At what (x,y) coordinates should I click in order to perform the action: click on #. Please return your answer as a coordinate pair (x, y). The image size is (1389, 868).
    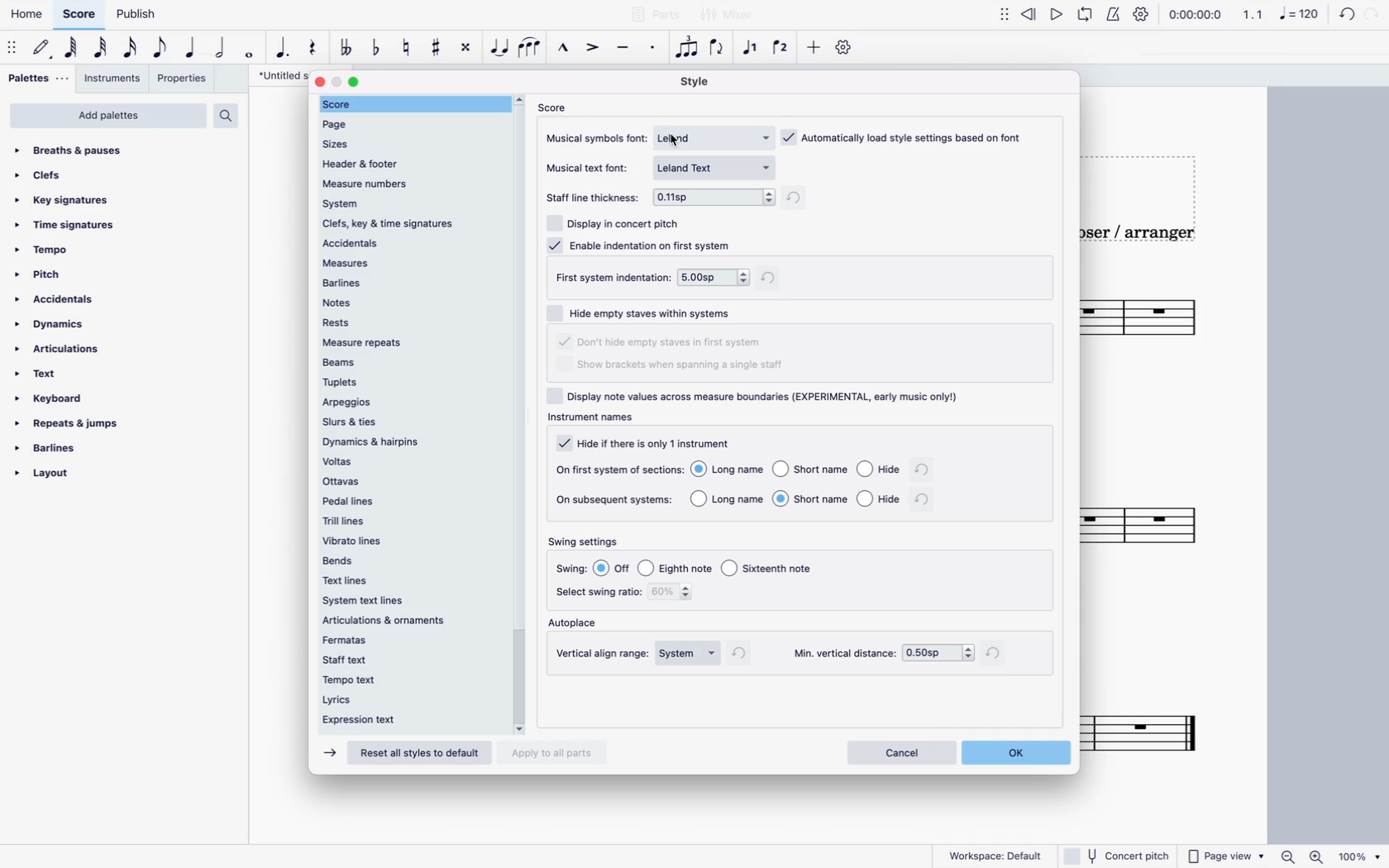
    Looking at the image, I should click on (435, 46).